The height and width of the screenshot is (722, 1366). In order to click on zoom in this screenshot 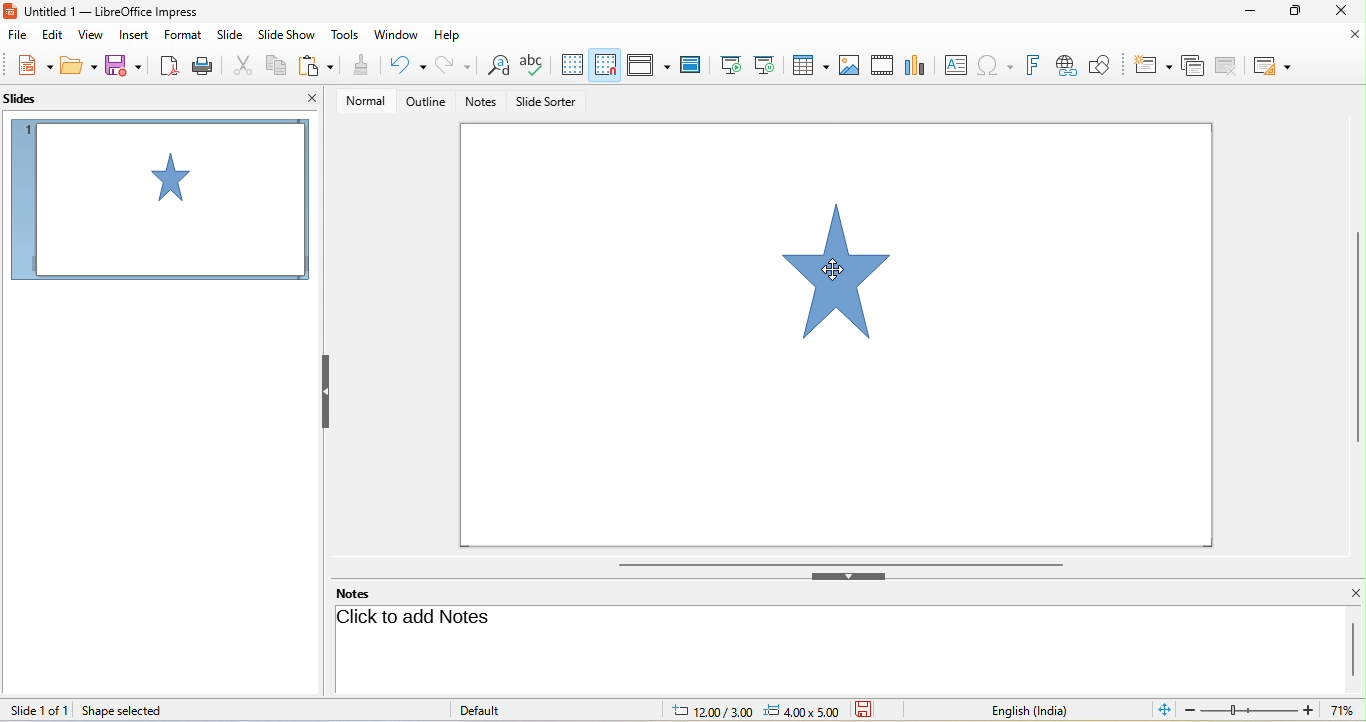, I will do `click(1251, 711)`.